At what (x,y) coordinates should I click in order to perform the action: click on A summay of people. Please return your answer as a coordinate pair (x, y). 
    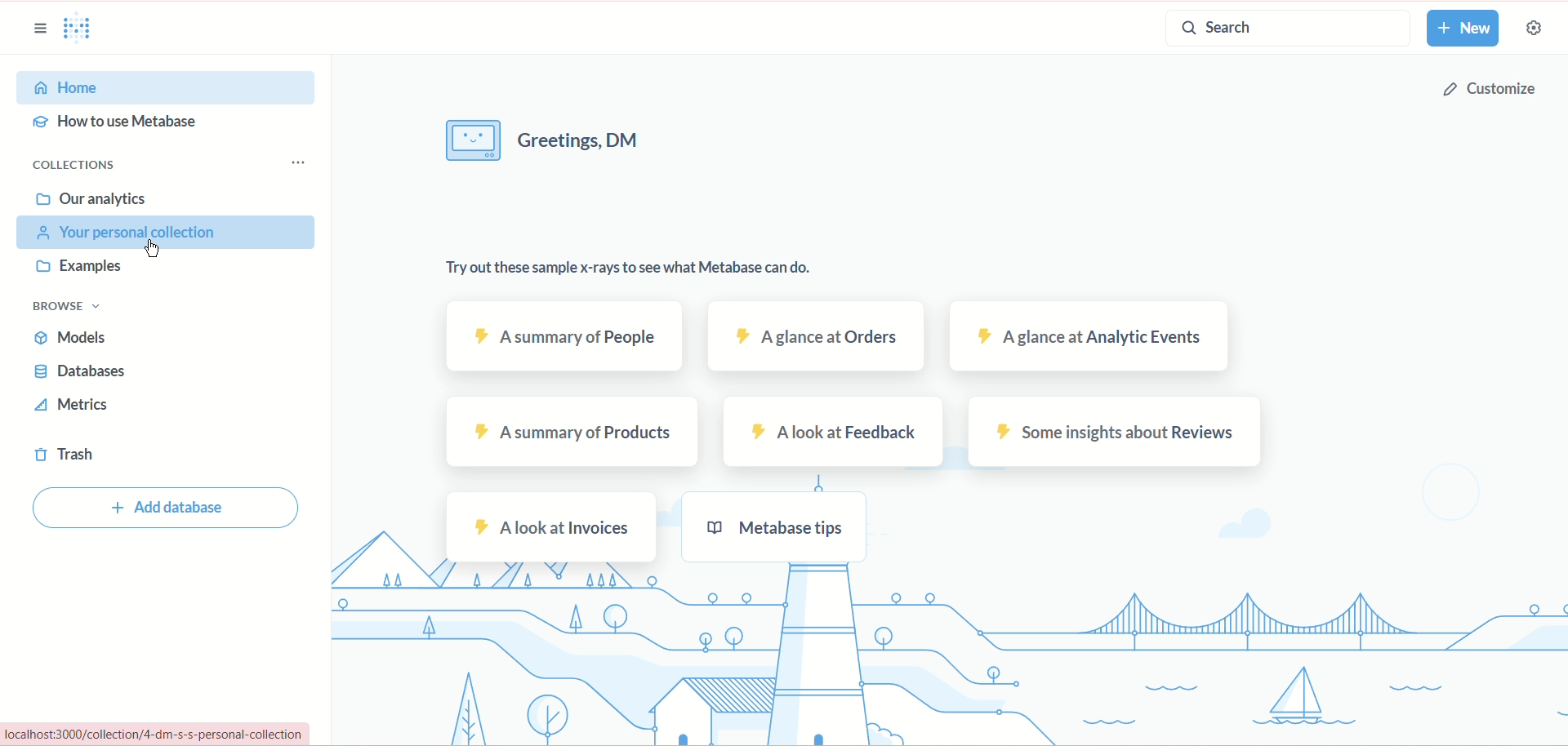
    Looking at the image, I should click on (564, 335).